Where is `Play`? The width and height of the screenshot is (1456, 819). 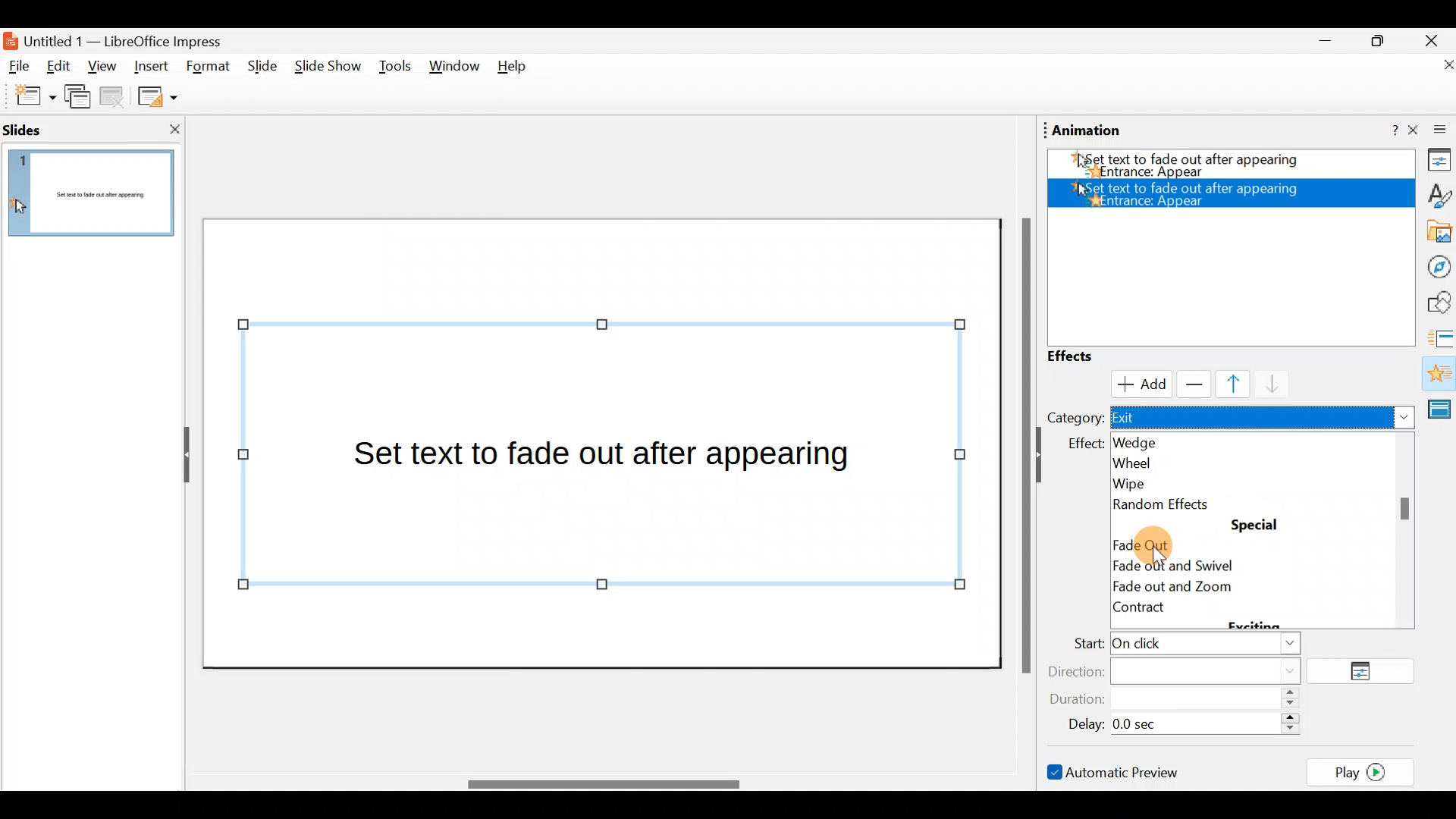
Play is located at coordinates (1365, 771).